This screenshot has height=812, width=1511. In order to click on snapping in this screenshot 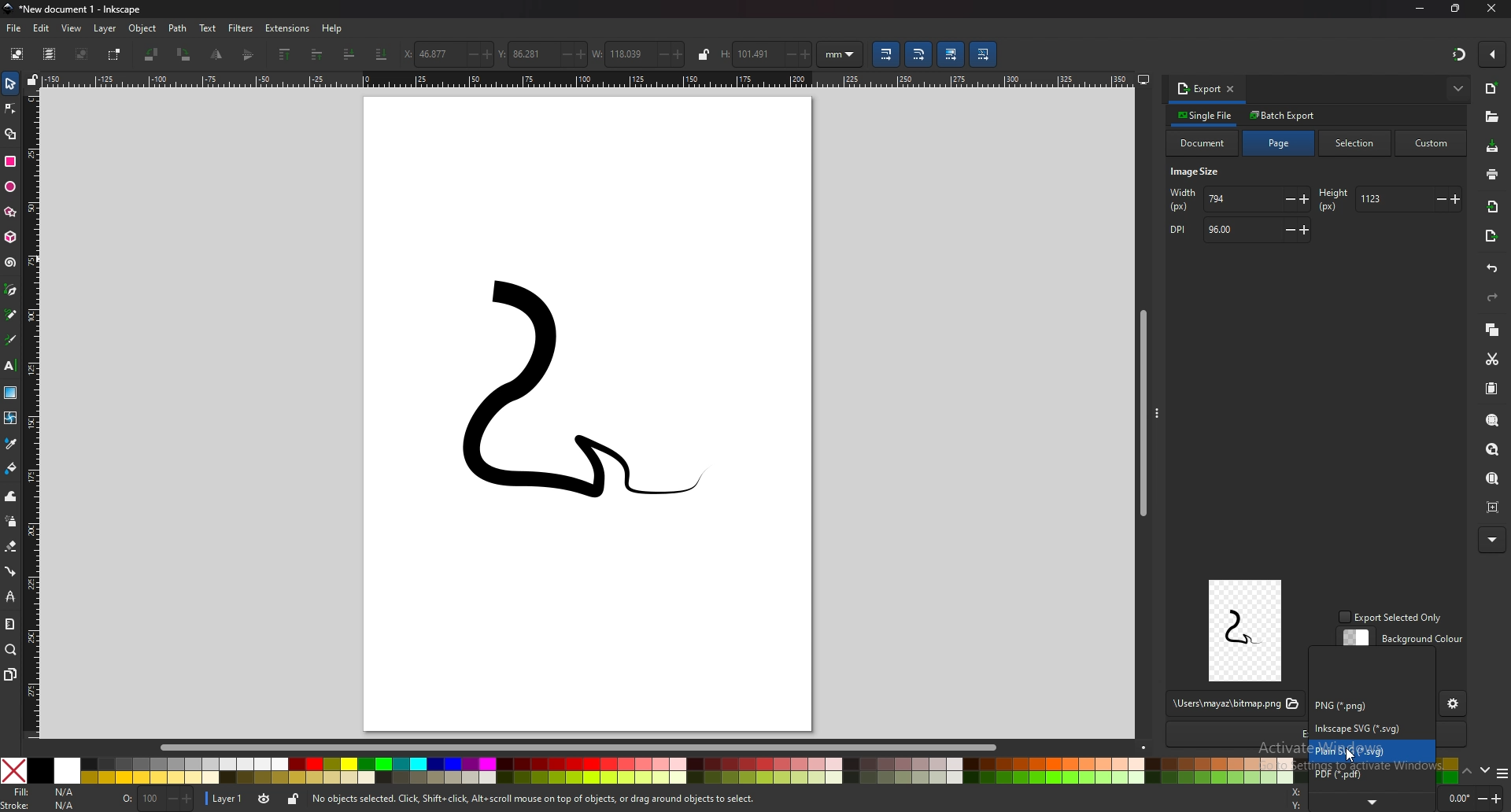, I will do `click(1457, 54)`.